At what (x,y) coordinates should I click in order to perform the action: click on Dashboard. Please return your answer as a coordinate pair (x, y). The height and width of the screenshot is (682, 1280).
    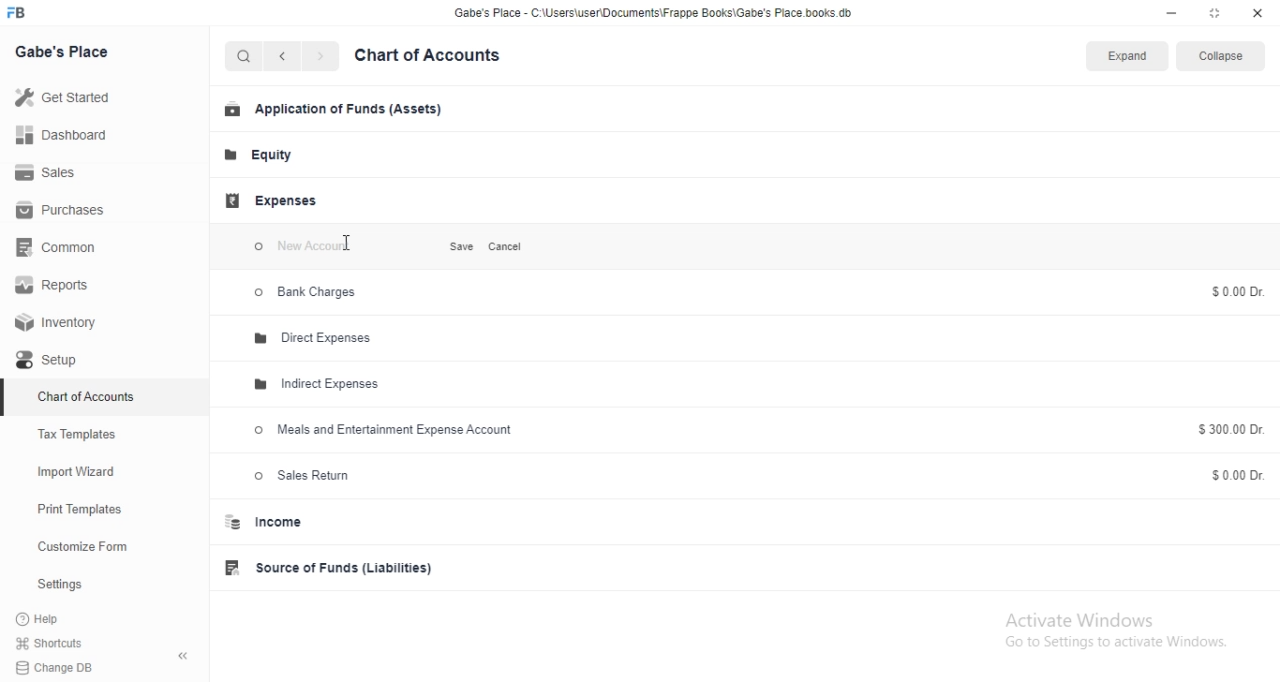
    Looking at the image, I should click on (64, 137).